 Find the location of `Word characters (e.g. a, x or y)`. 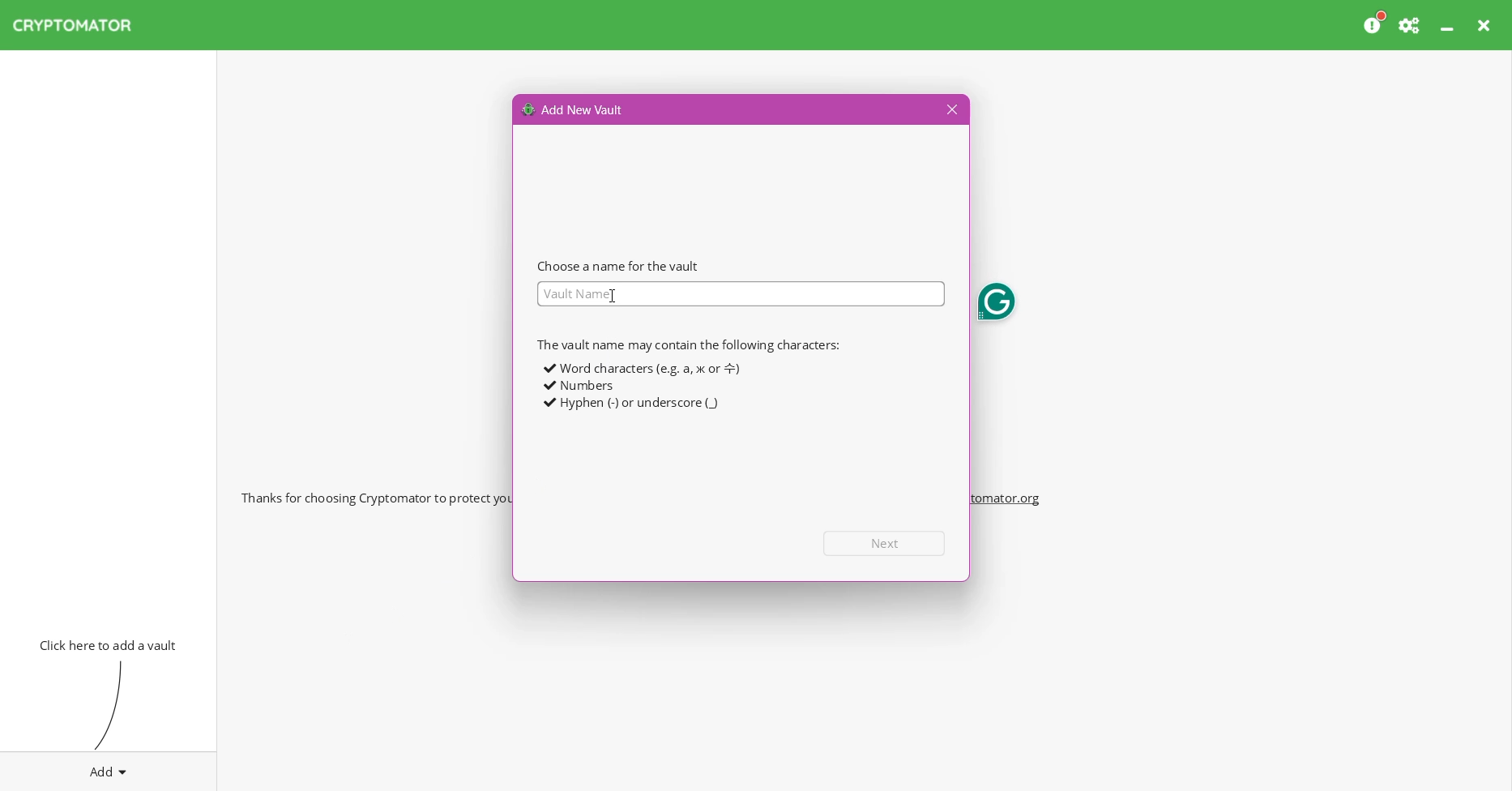

Word characters (e.g. a, x or y) is located at coordinates (640, 368).